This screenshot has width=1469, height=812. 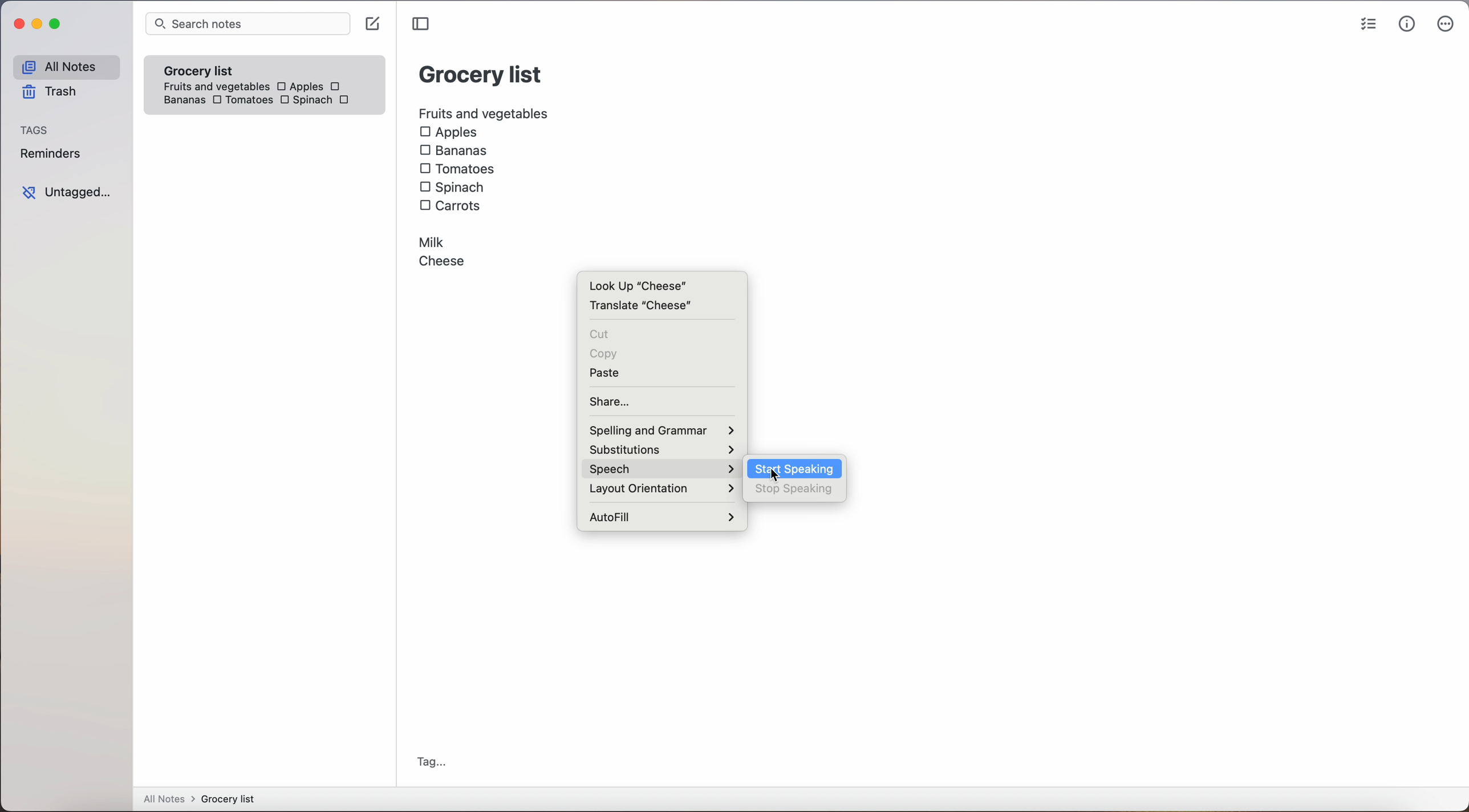 I want to click on cut, so click(x=599, y=335).